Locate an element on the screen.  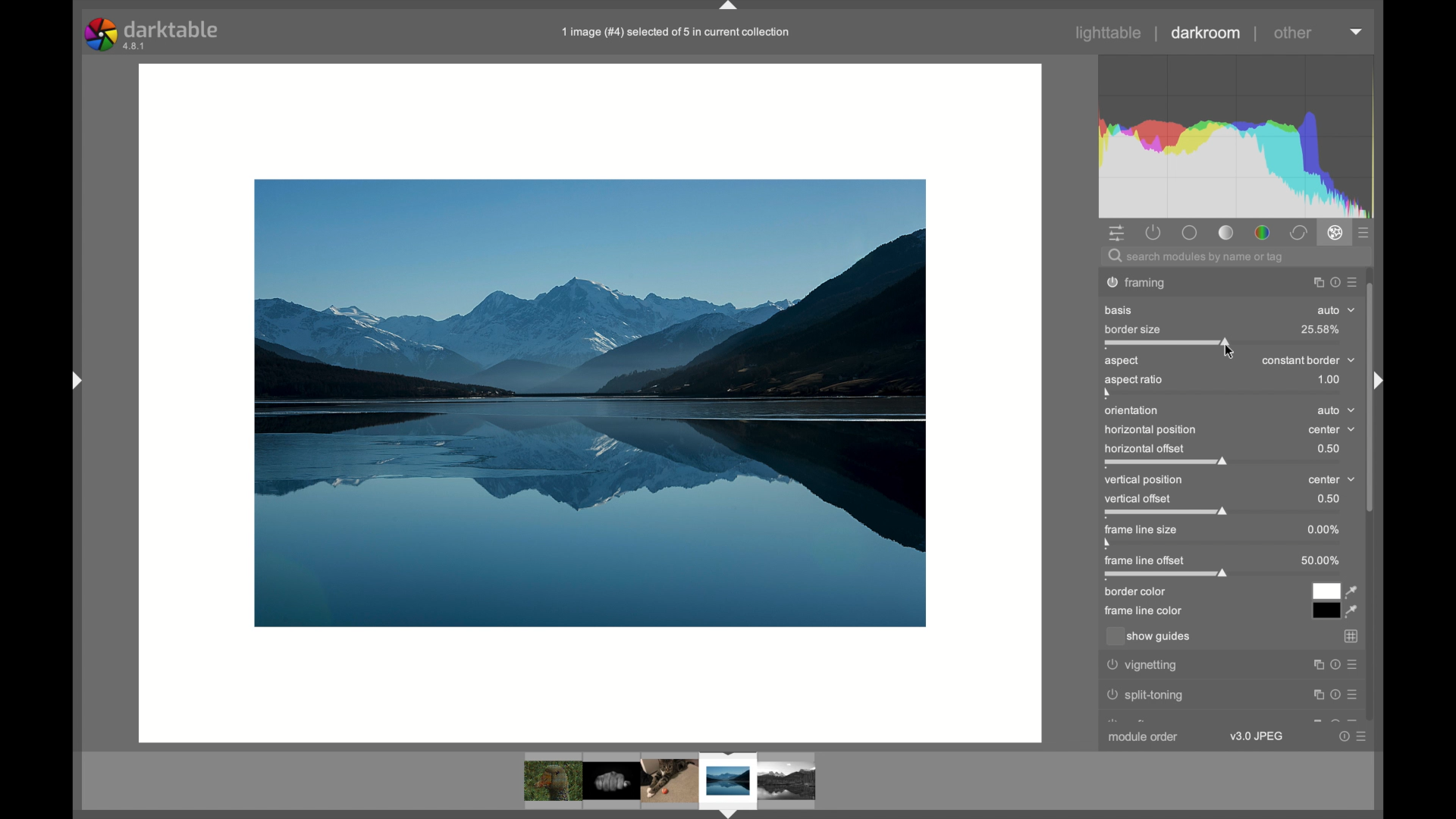
module order is located at coordinates (1144, 735).